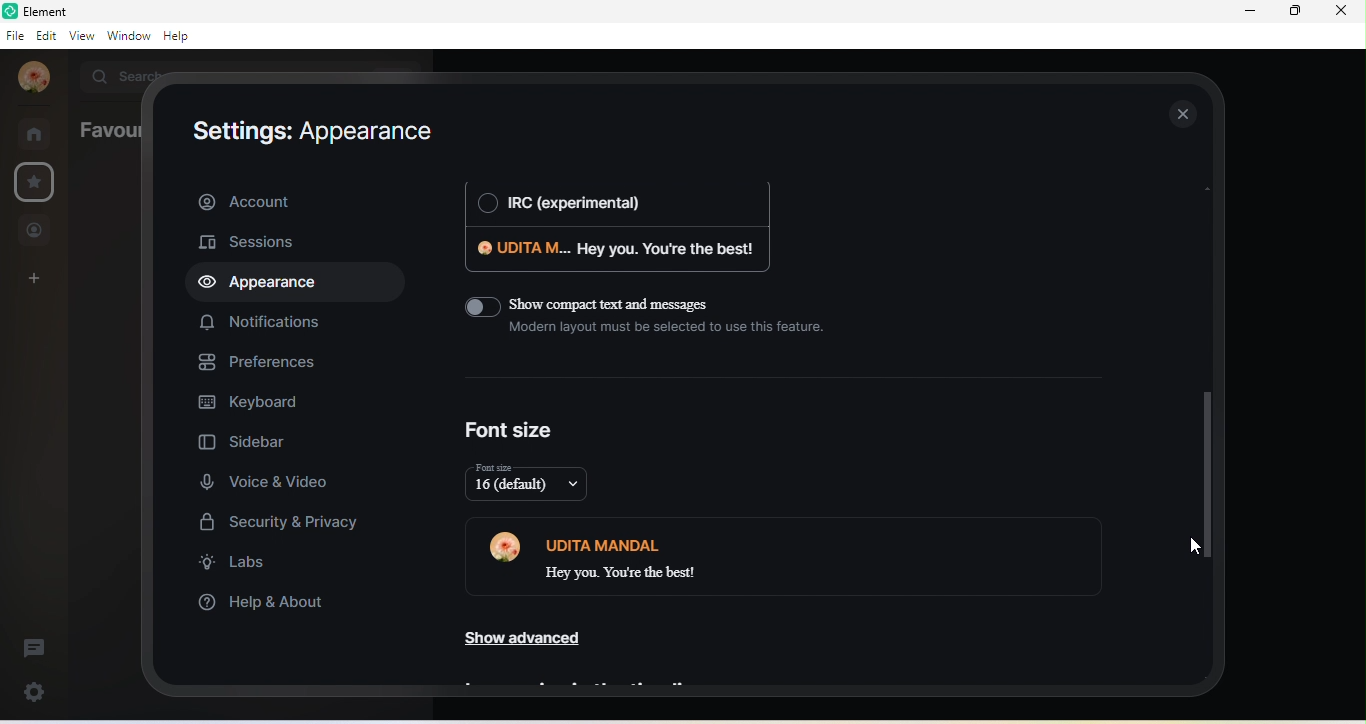  What do you see at coordinates (268, 285) in the screenshot?
I see `appearance` at bounding box center [268, 285].